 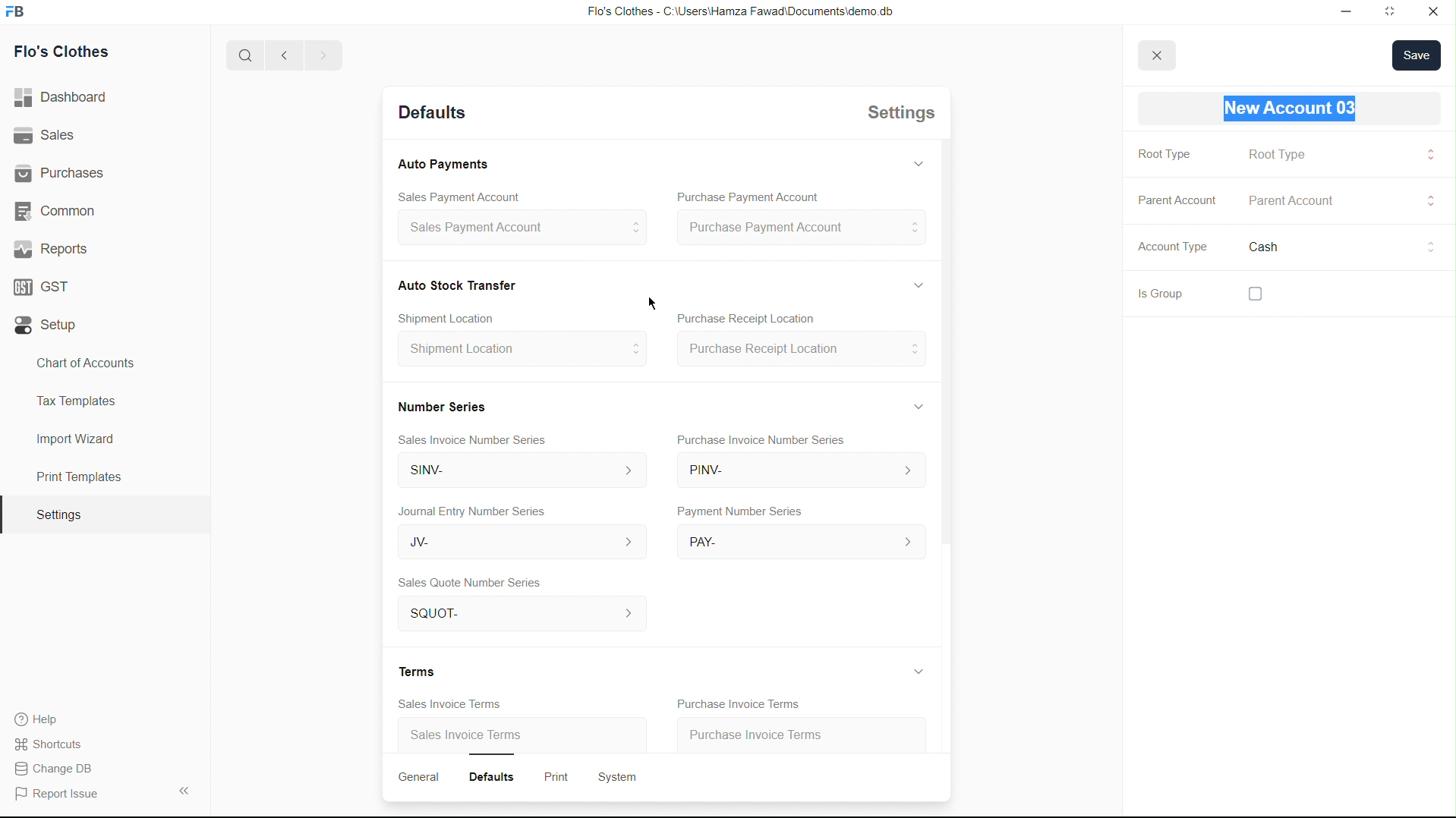 What do you see at coordinates (1304, 202) in the screenshot?
I see `Parent Account` at bounding box center [1304, 202].